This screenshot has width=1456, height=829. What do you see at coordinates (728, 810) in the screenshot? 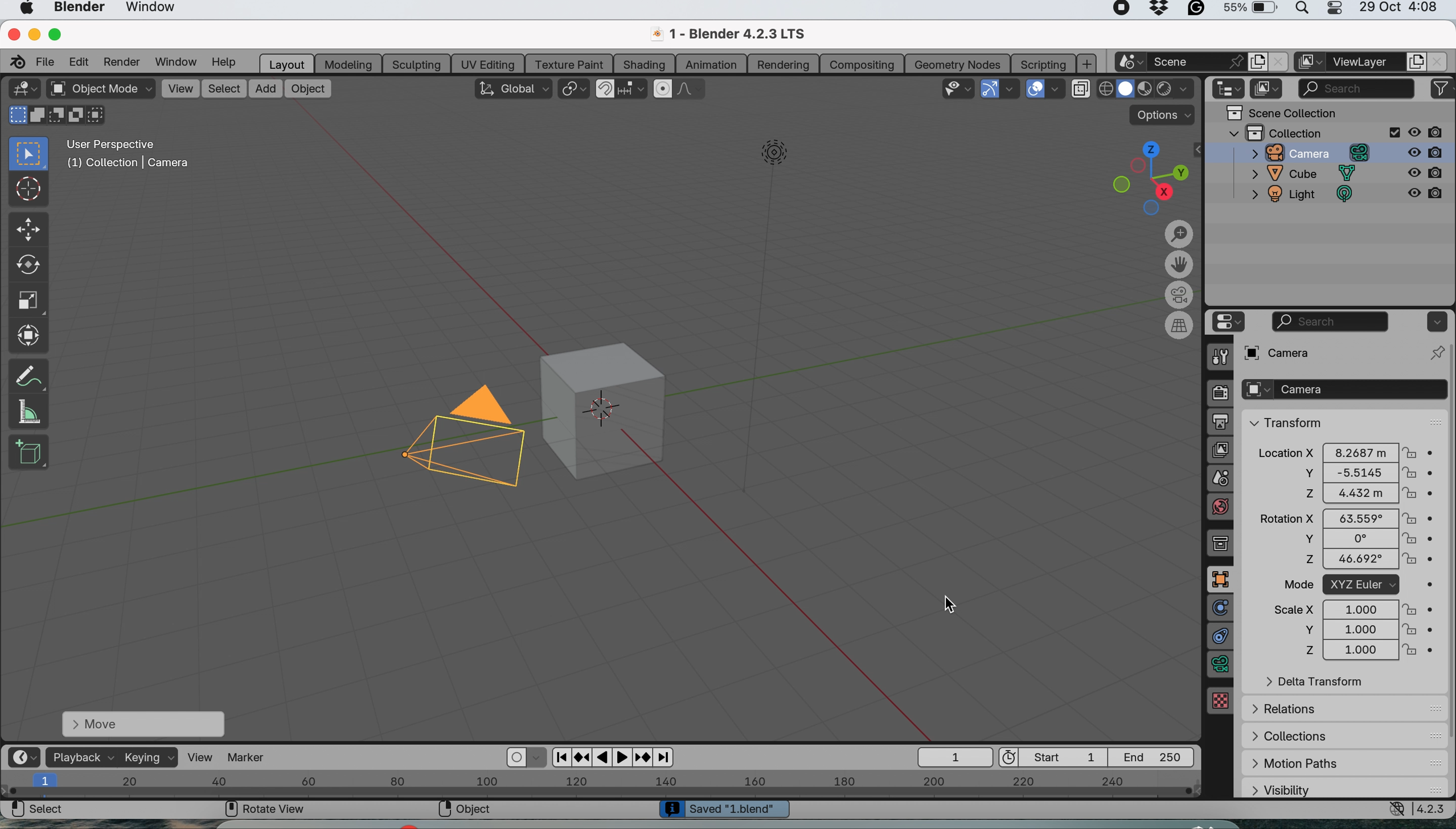
I see `Saved '1 blend'` at bounding box center [728, 810].